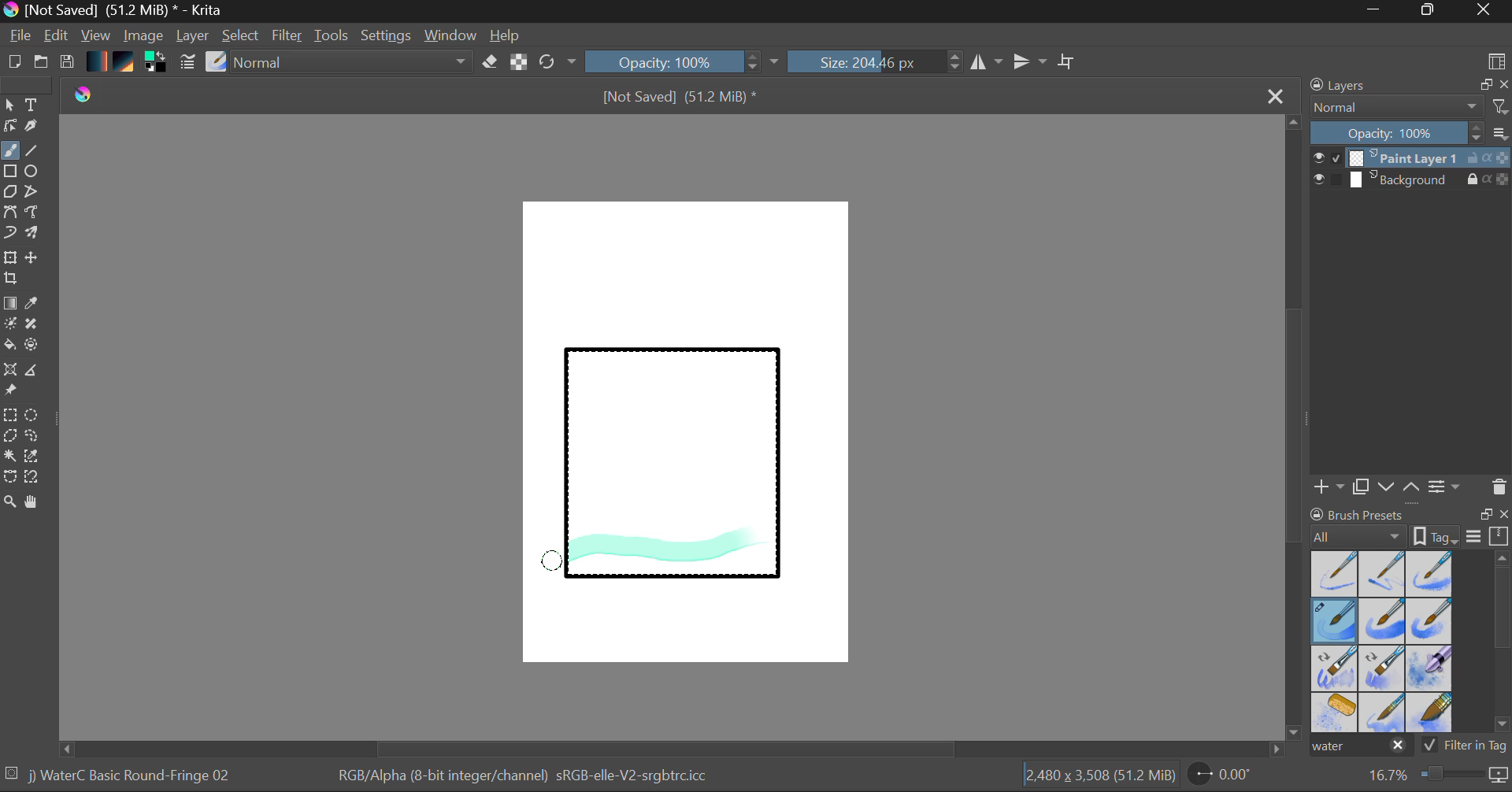  Describe the element at coordinates (20, 38) in the screenshot. I see `File` at that location.